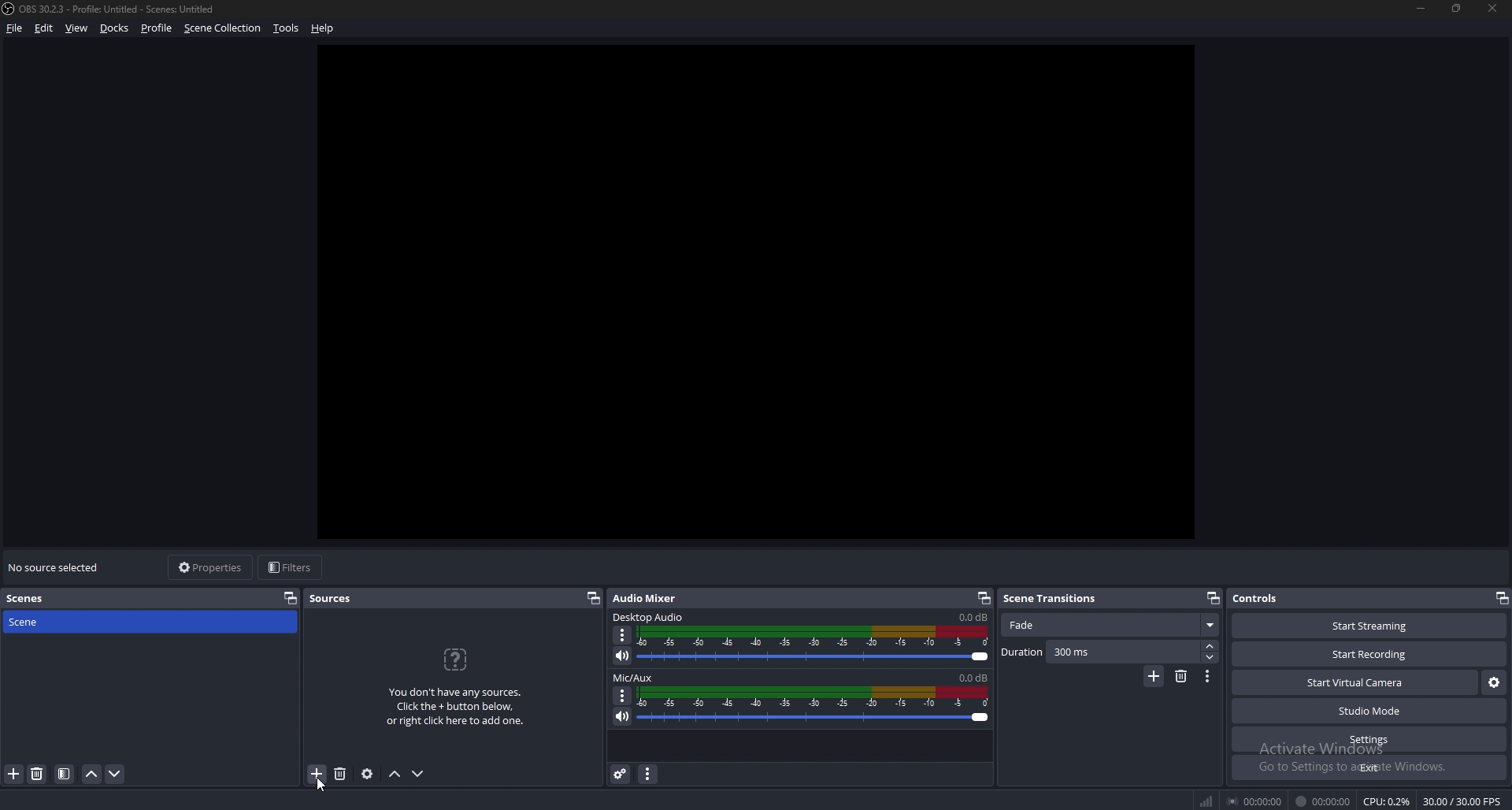  What do you see at coordinates (1323, 801) in the screenshot?
I see `00:00:00` at bounding box center [1323, 801].